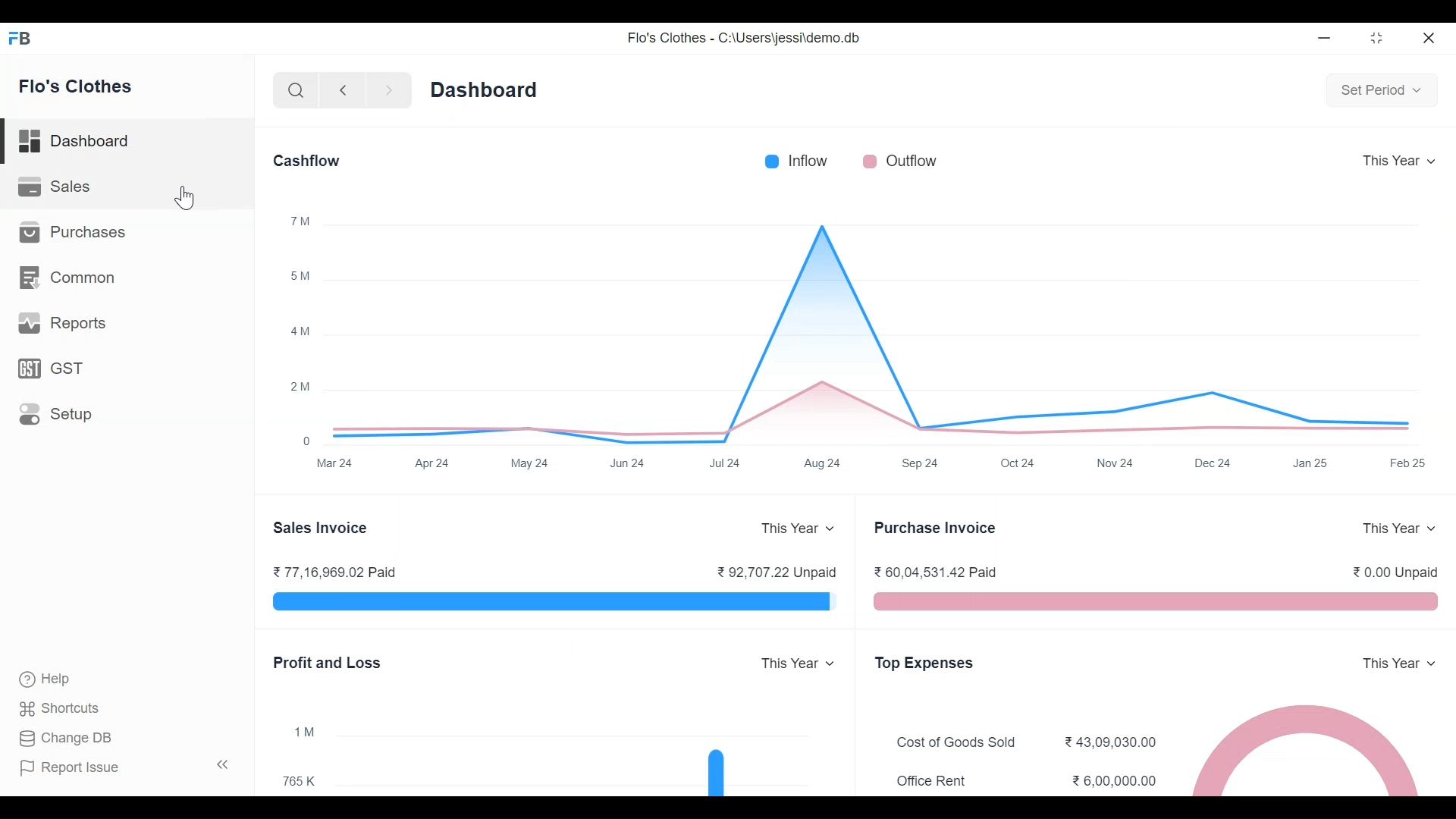  Describe the element at coordinates (1115, 463) in the screenshot. I see `Nov 24` at that location.